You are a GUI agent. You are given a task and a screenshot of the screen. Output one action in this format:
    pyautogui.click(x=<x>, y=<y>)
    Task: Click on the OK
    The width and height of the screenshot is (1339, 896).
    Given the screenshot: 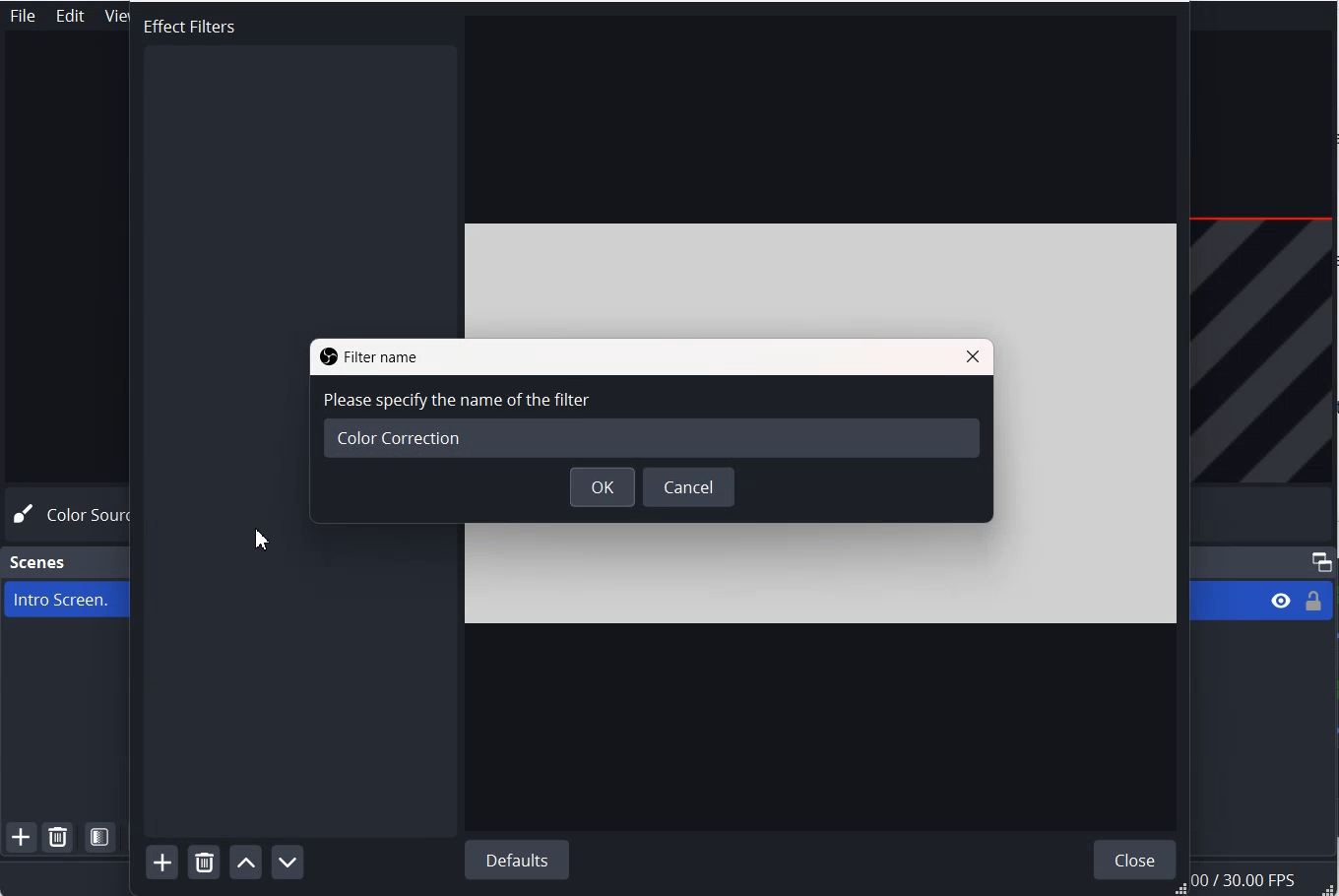 What is the action you would take?
    pyautogui.click(x=603, y=488)
    